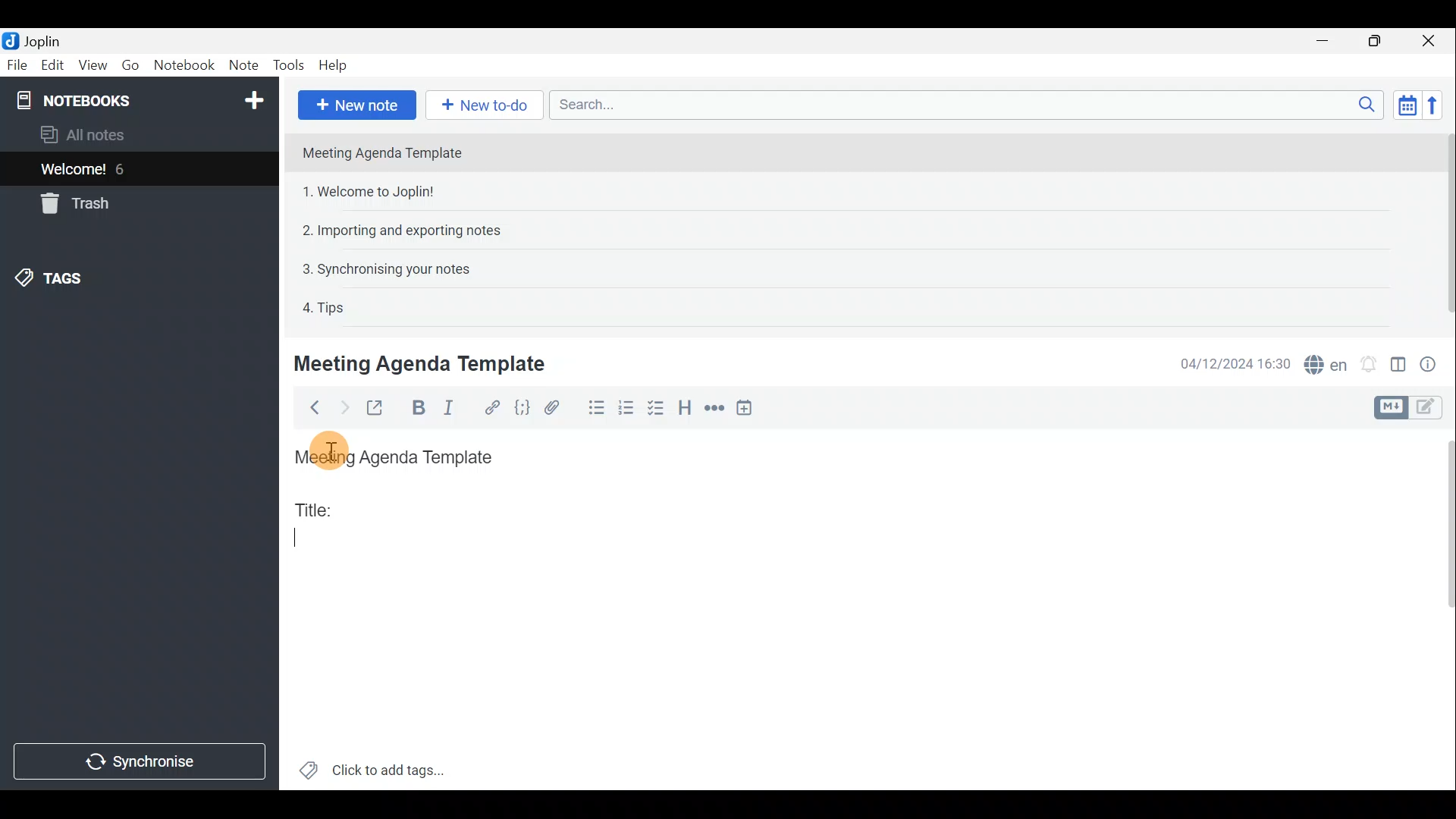 The height and width of the screenshot is (819, 1456). I want to click on Attach file, so click(559, 408).